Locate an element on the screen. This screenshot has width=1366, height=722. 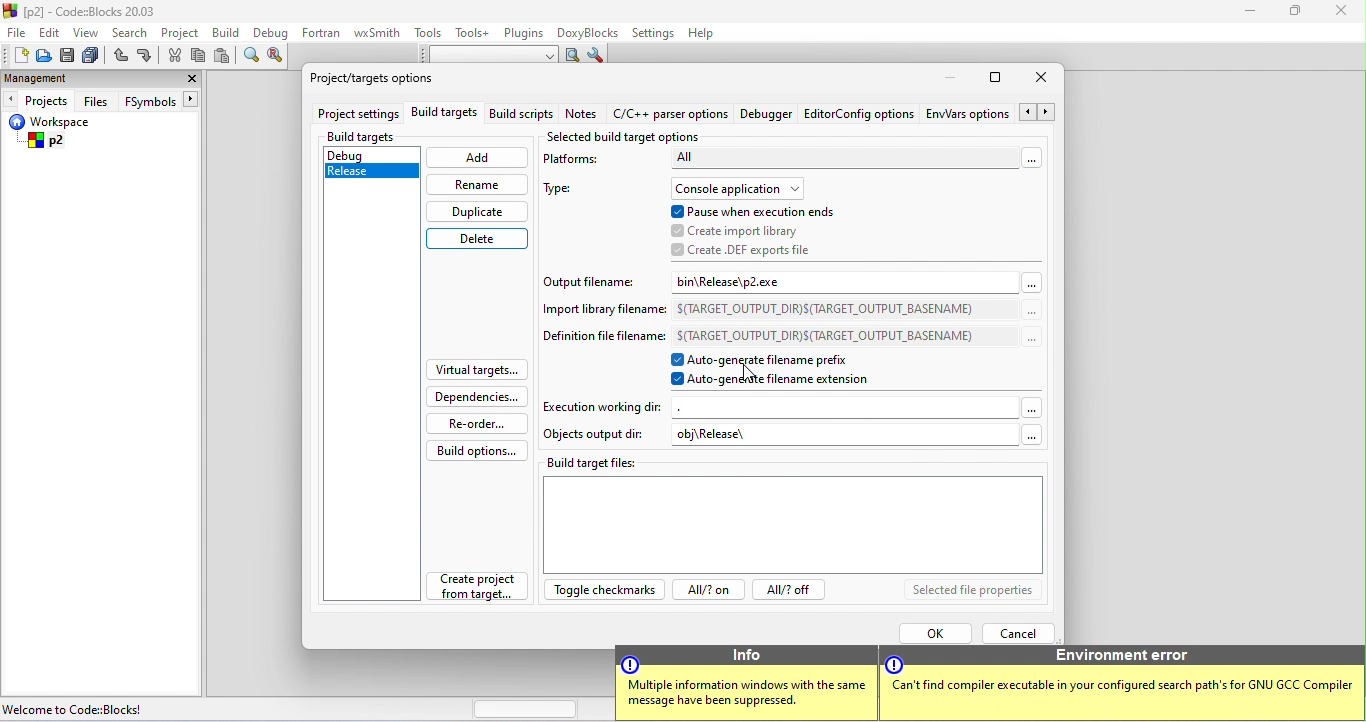
execution working dir is located at coordinates (793, 407).